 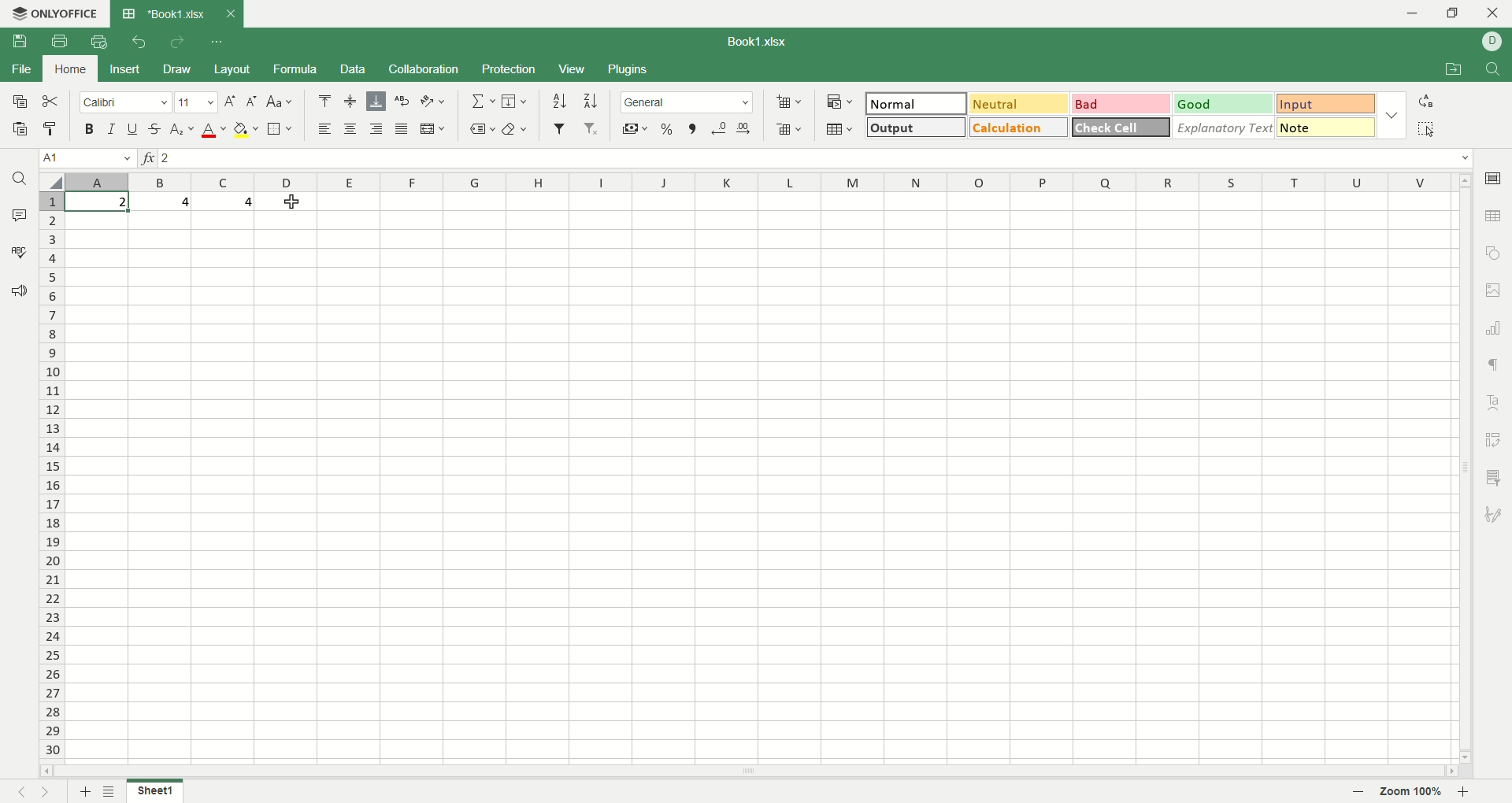 What do you see at coordinates (1390, 117) in the screenshot?
I see `options` at bounding box center [1390, 117].